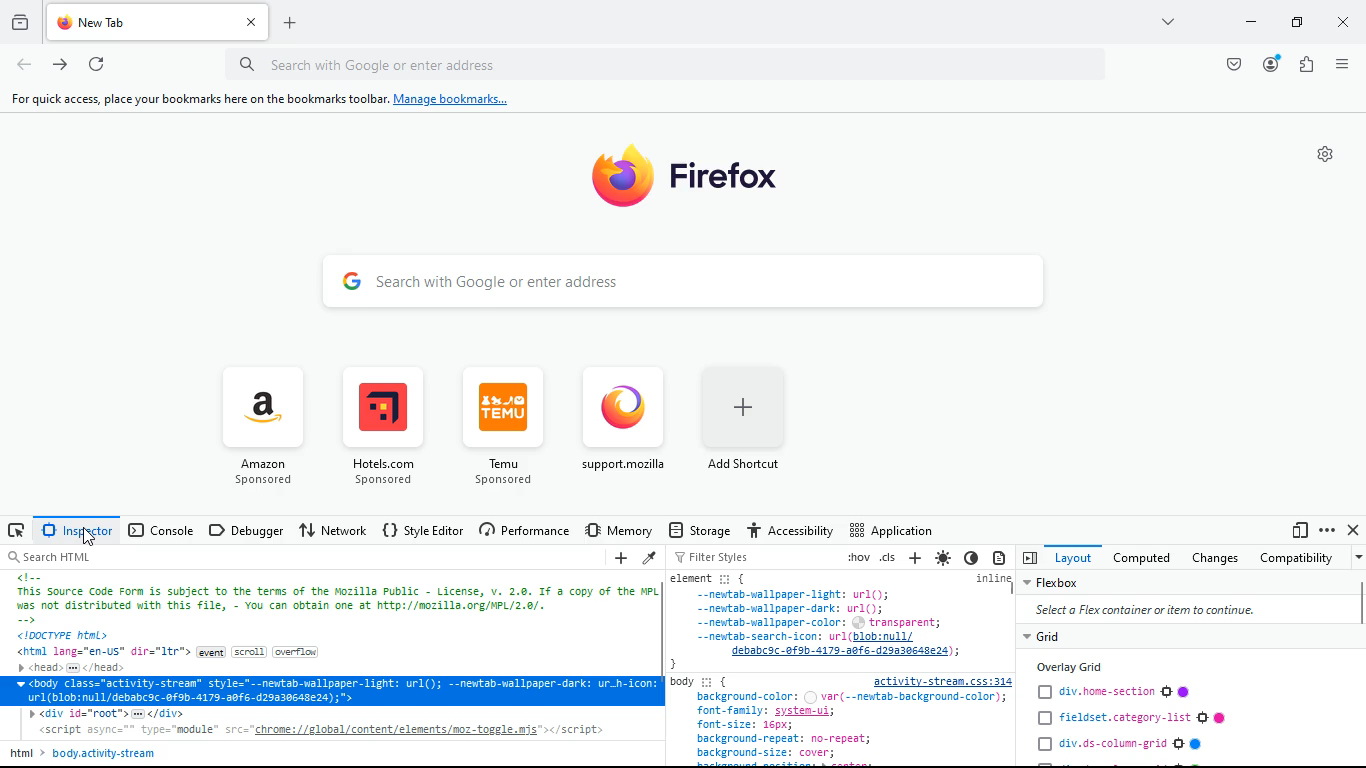 The width and height of the screenshot is (1366, 768). Describe the element at coordinates (890, 557) in the screenshot. I see `s` at that location.